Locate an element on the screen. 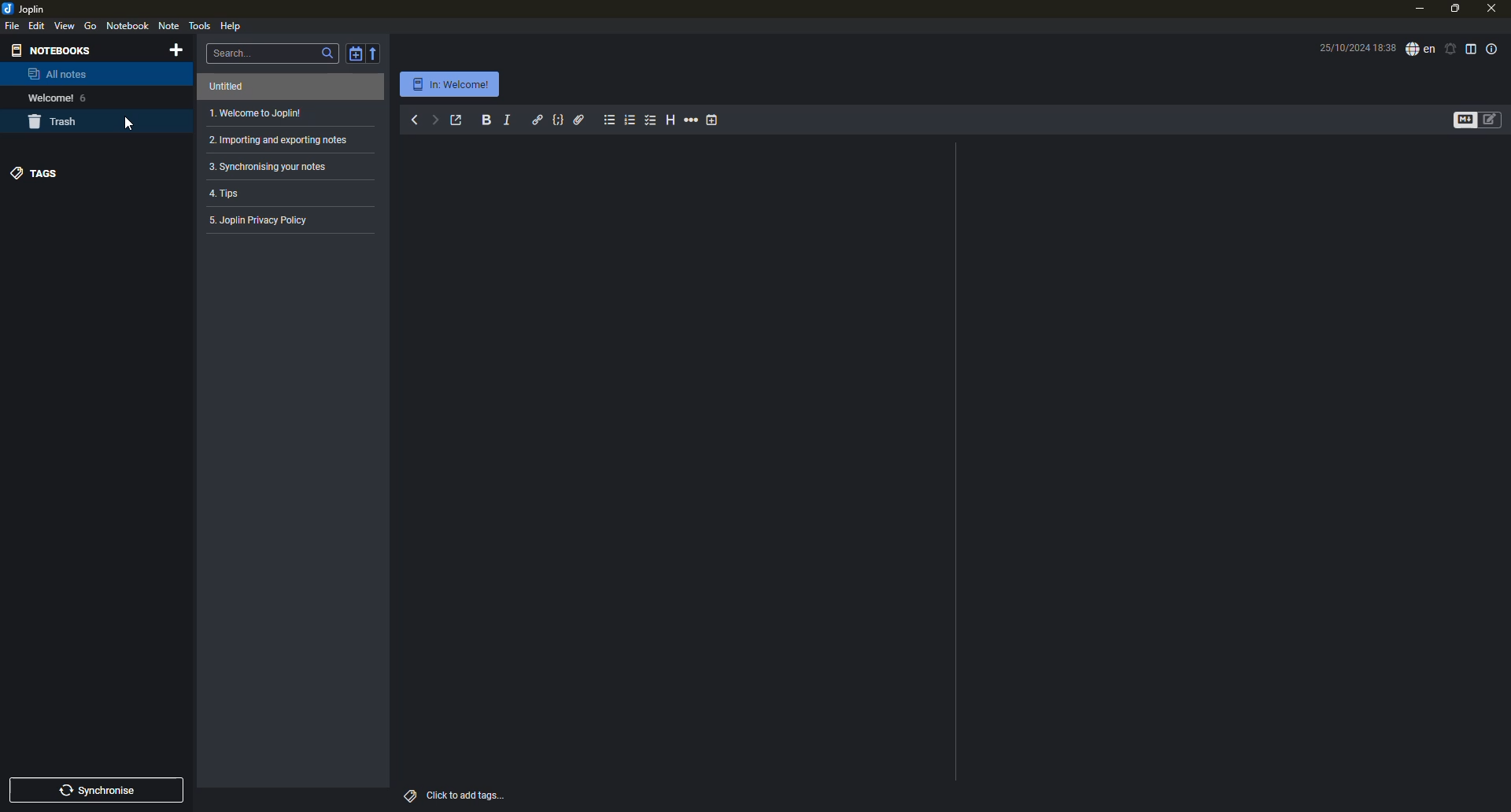 The height and width of the screenshot is (812, 1511). all notes is located at coordinates (57, 76).